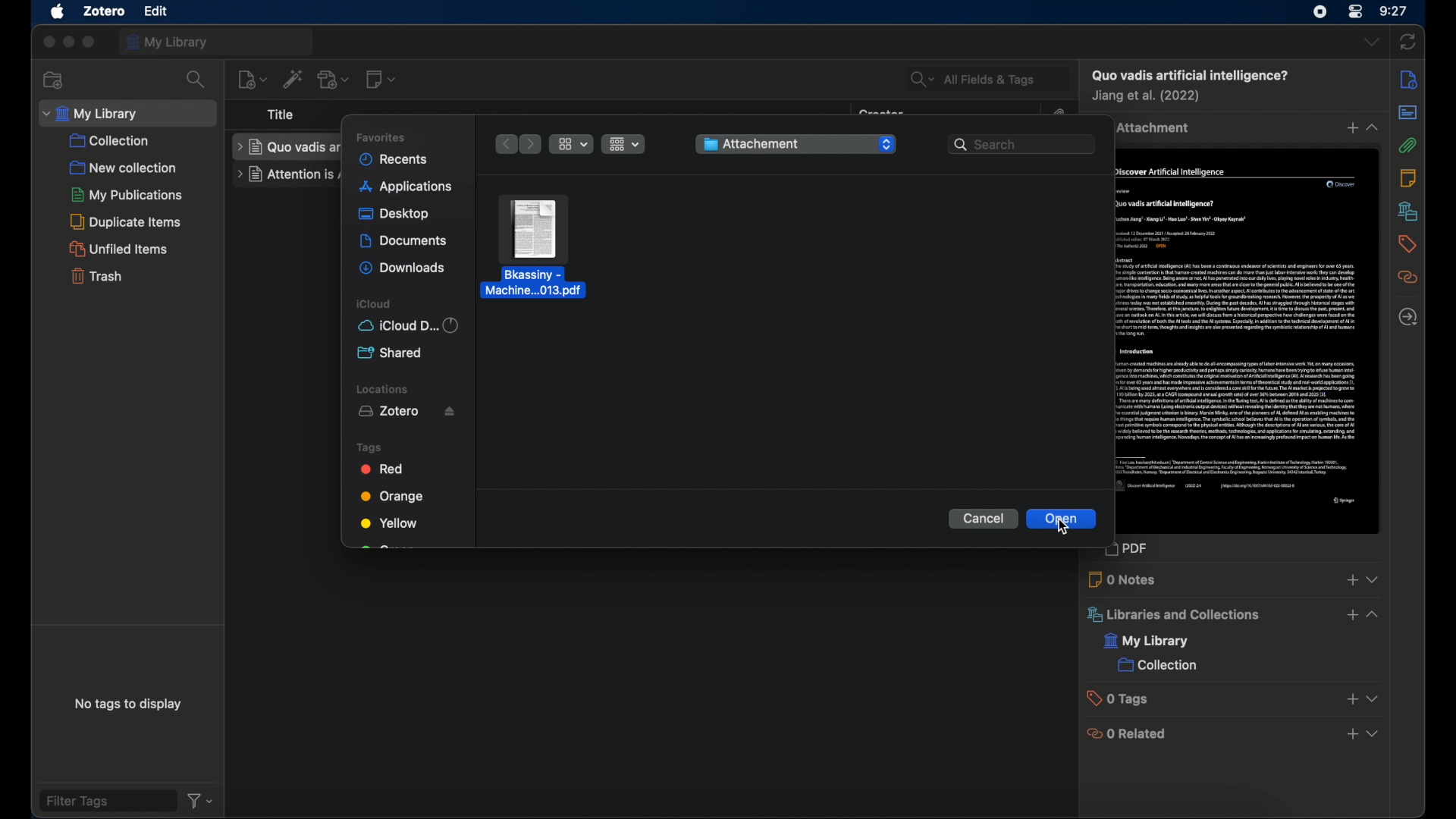  Describe the element at coordinates (1351, 700) in the screenshot. I see `add` at that location.